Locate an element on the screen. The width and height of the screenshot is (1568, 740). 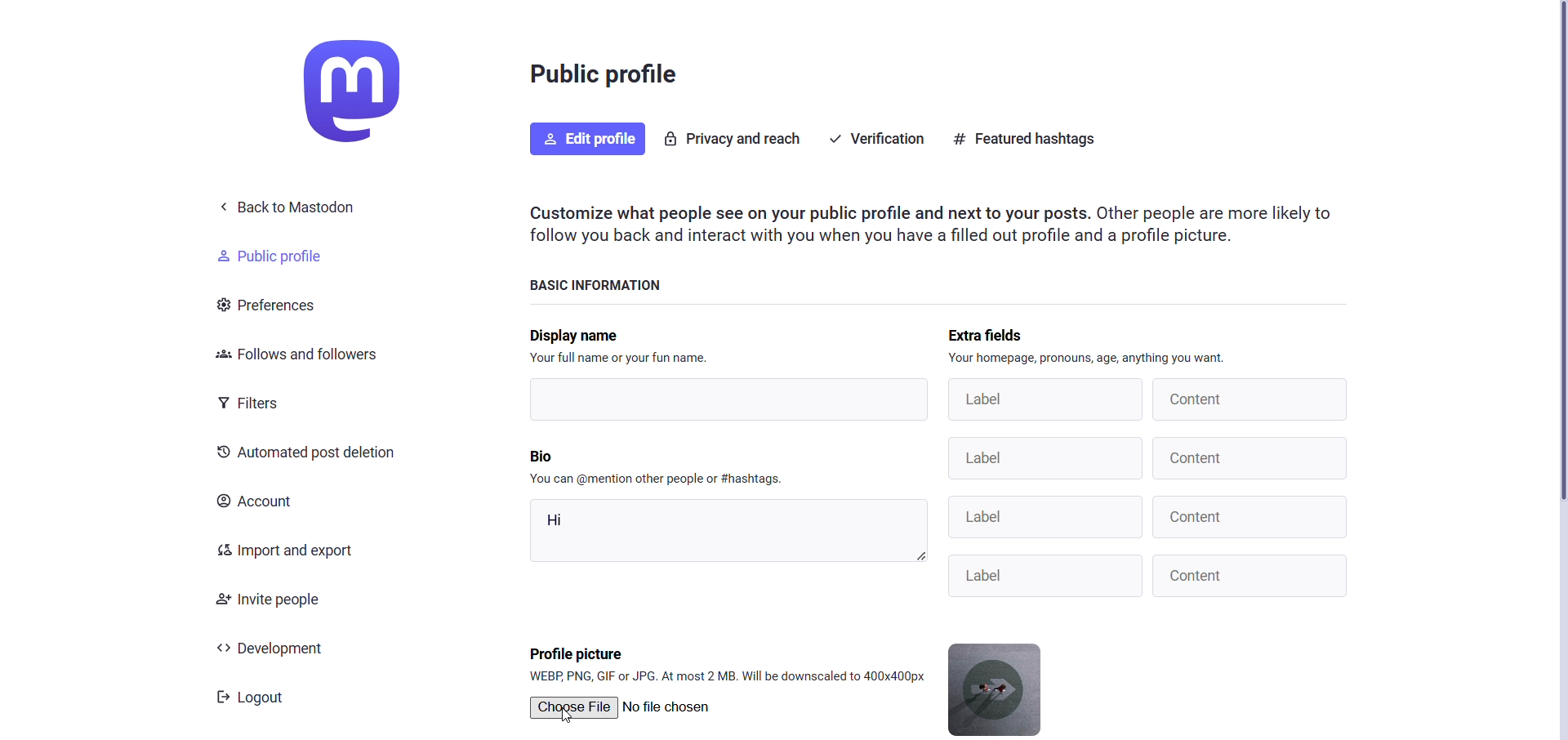
development is located at coordinates (273, 647).